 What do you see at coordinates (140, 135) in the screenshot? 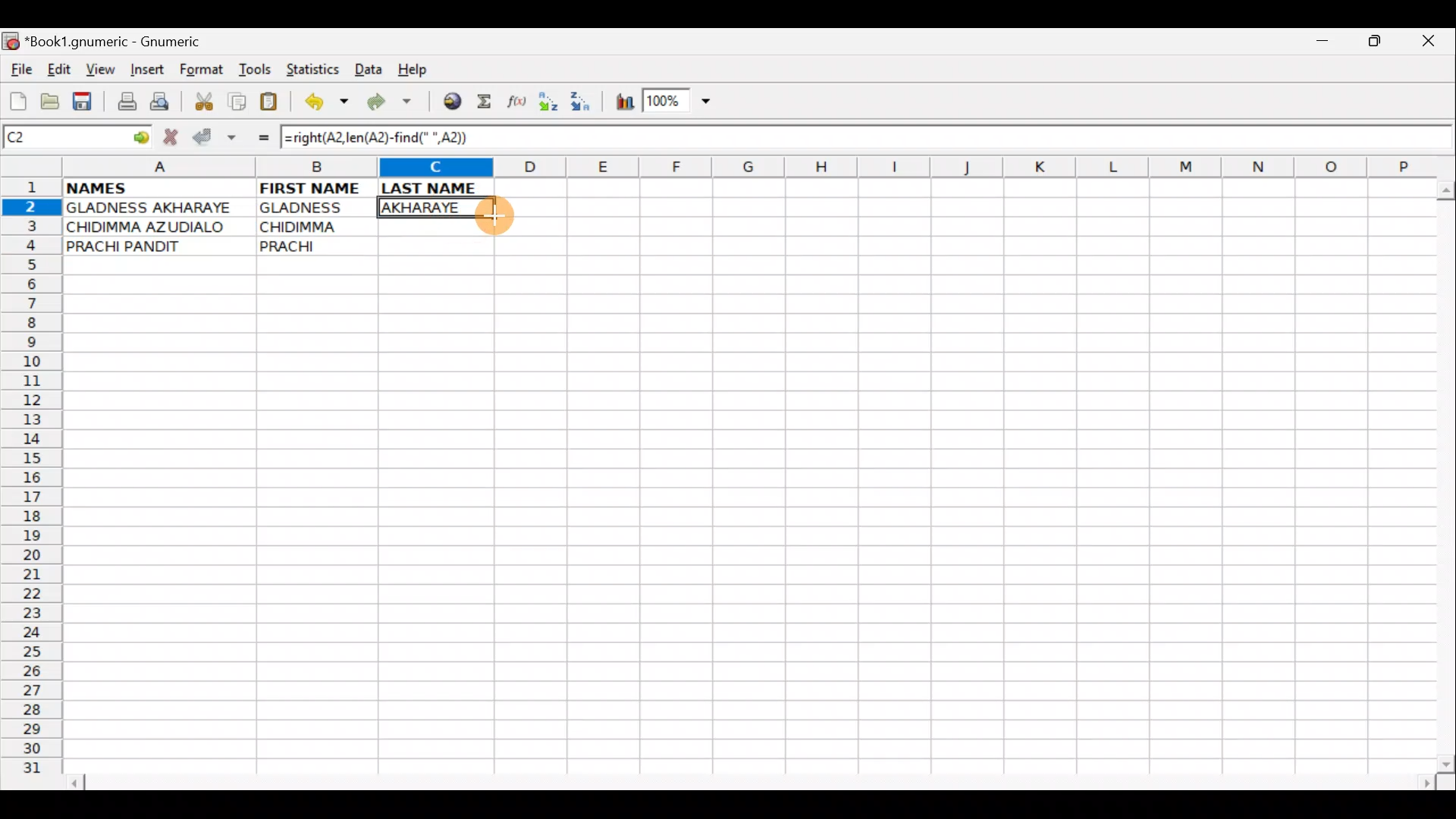
I see `go to` at bounding box center [140, 135].